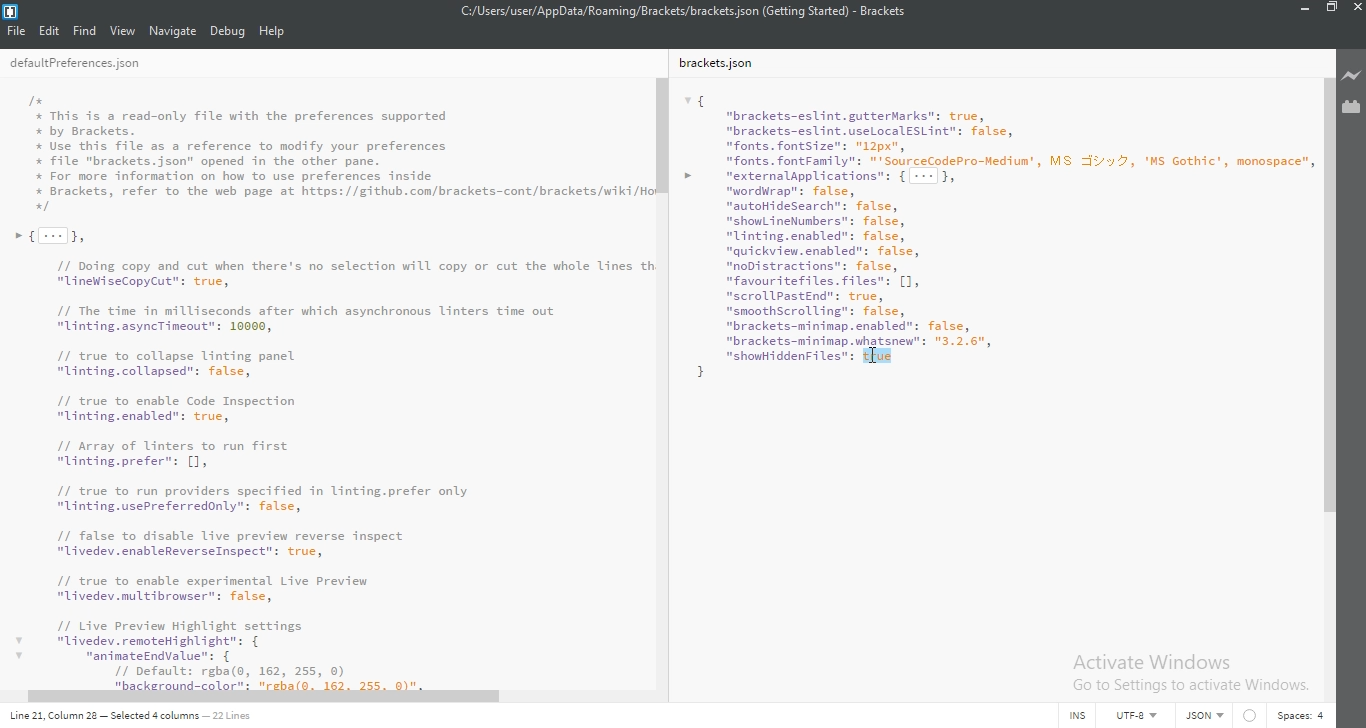  I want to click on scroll bar, so click(266, 699).